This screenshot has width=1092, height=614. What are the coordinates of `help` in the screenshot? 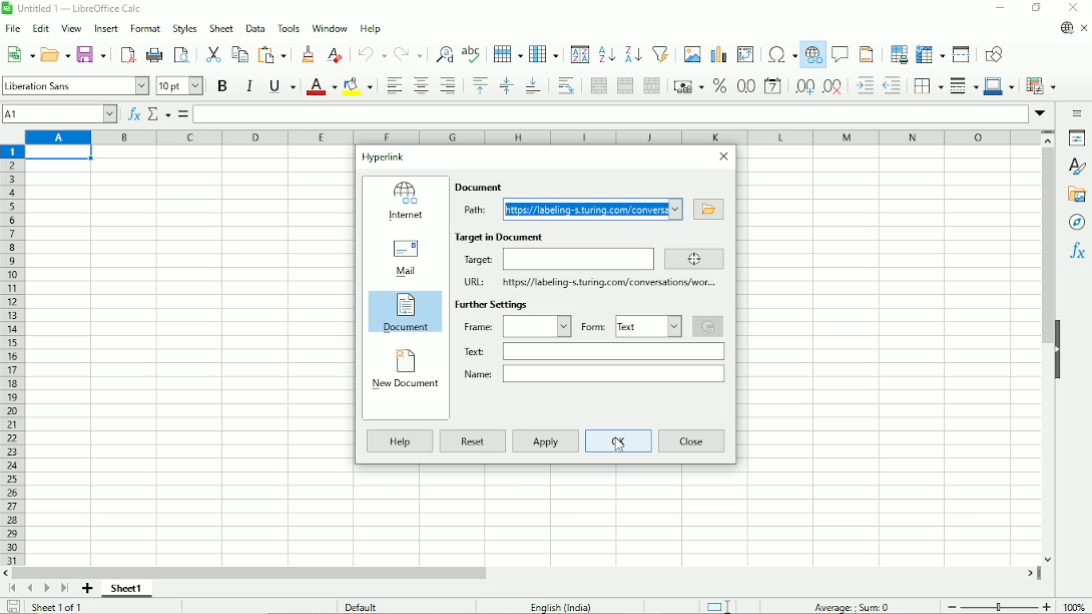 It's located at (373, 28).